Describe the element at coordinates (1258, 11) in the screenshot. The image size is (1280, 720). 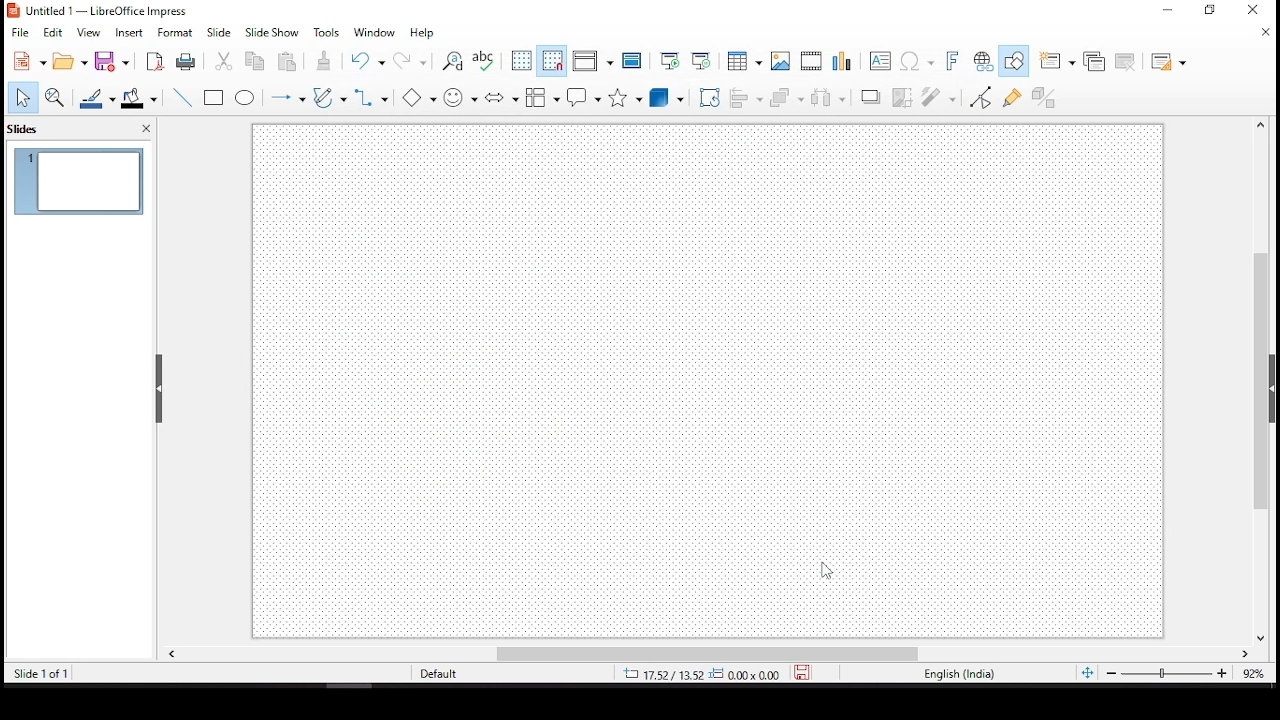
I see `close window` at that location.